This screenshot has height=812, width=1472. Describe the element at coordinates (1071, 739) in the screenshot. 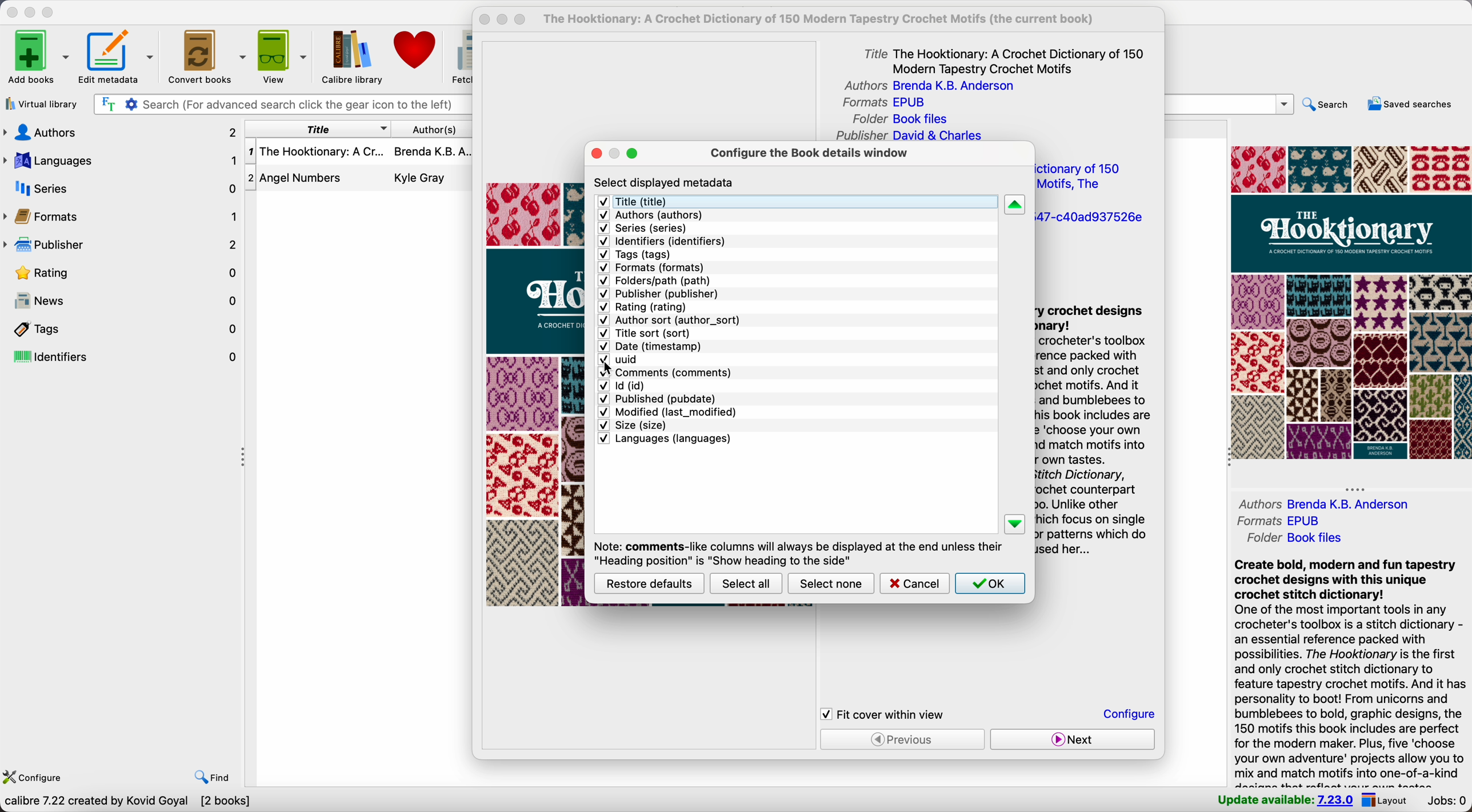

I see `next` at that location.